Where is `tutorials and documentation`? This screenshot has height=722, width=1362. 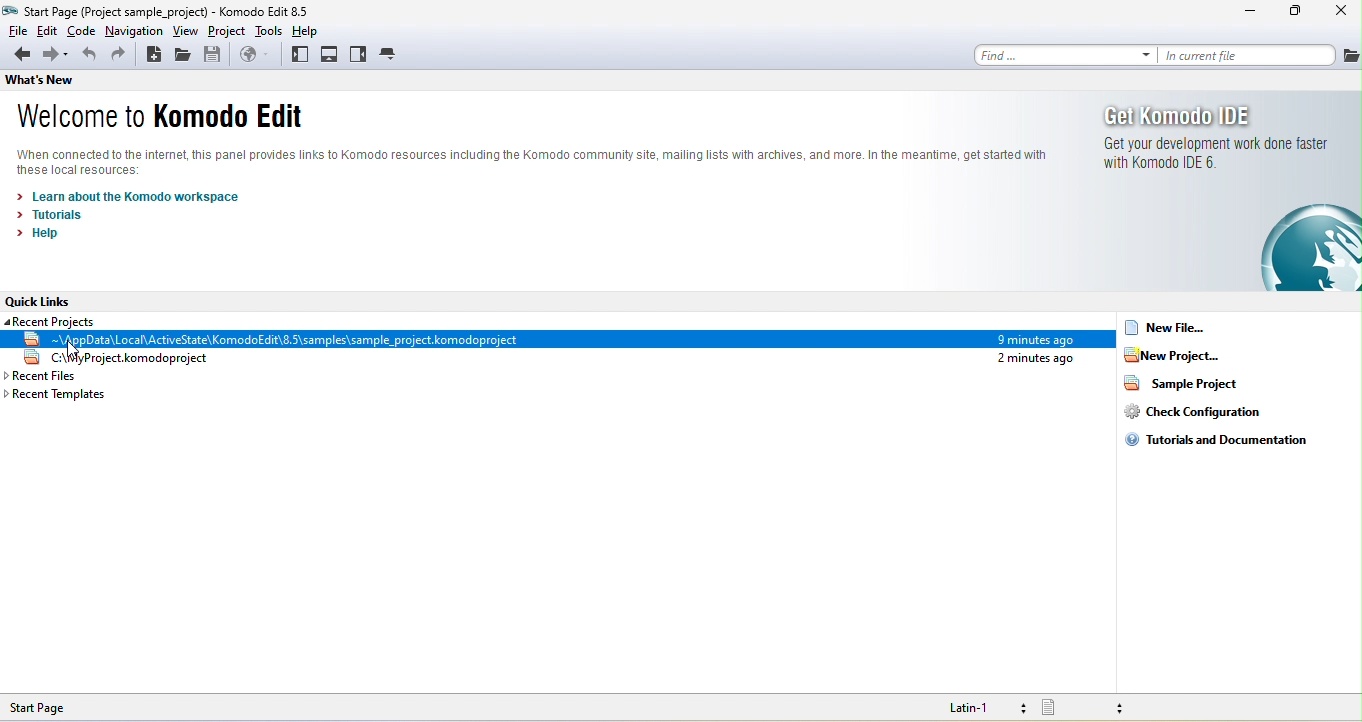
tutorials and documentation is located at coordinates (1229, 447).